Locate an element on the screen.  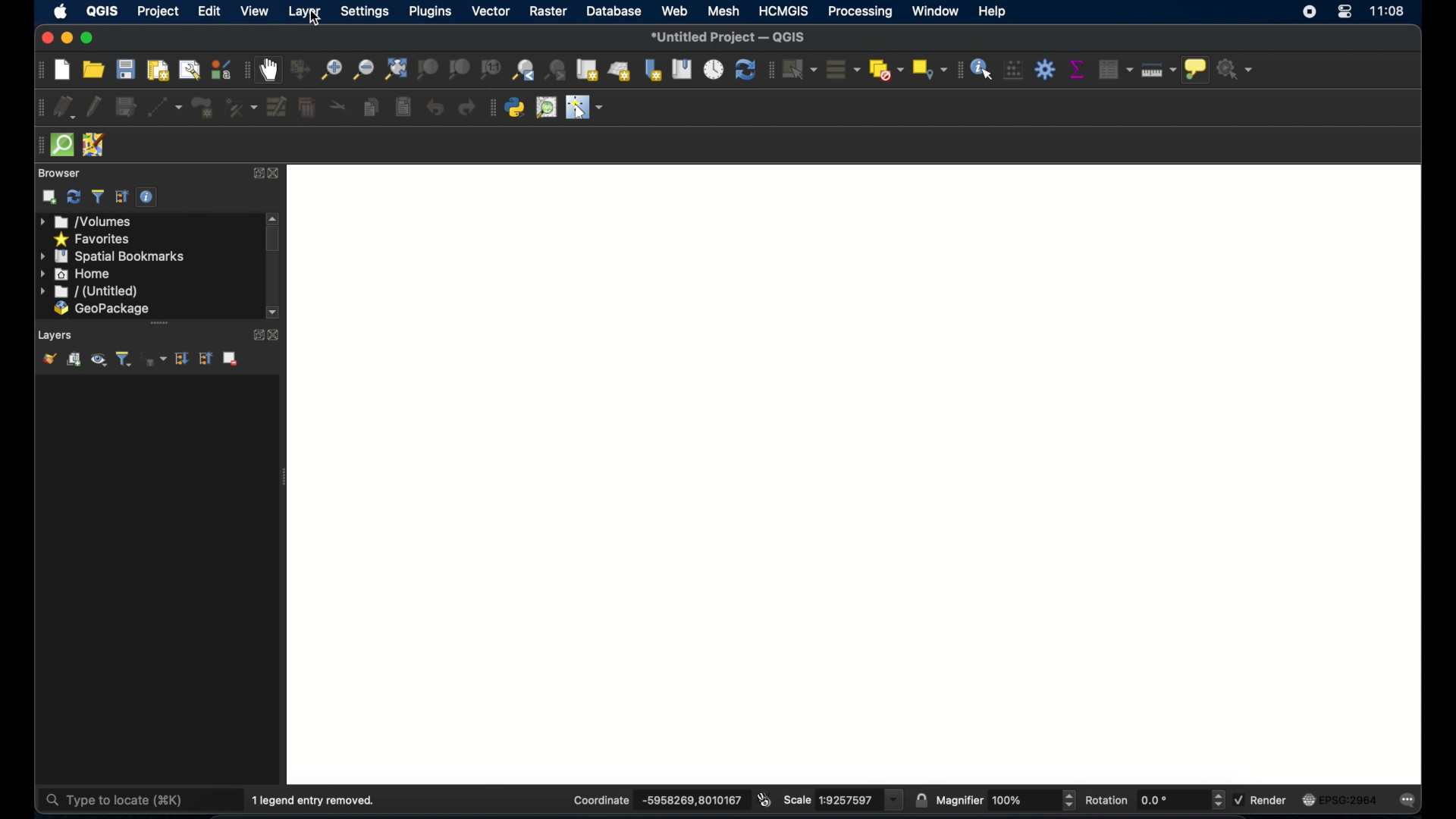
save project is located at coordinates (126, 70).